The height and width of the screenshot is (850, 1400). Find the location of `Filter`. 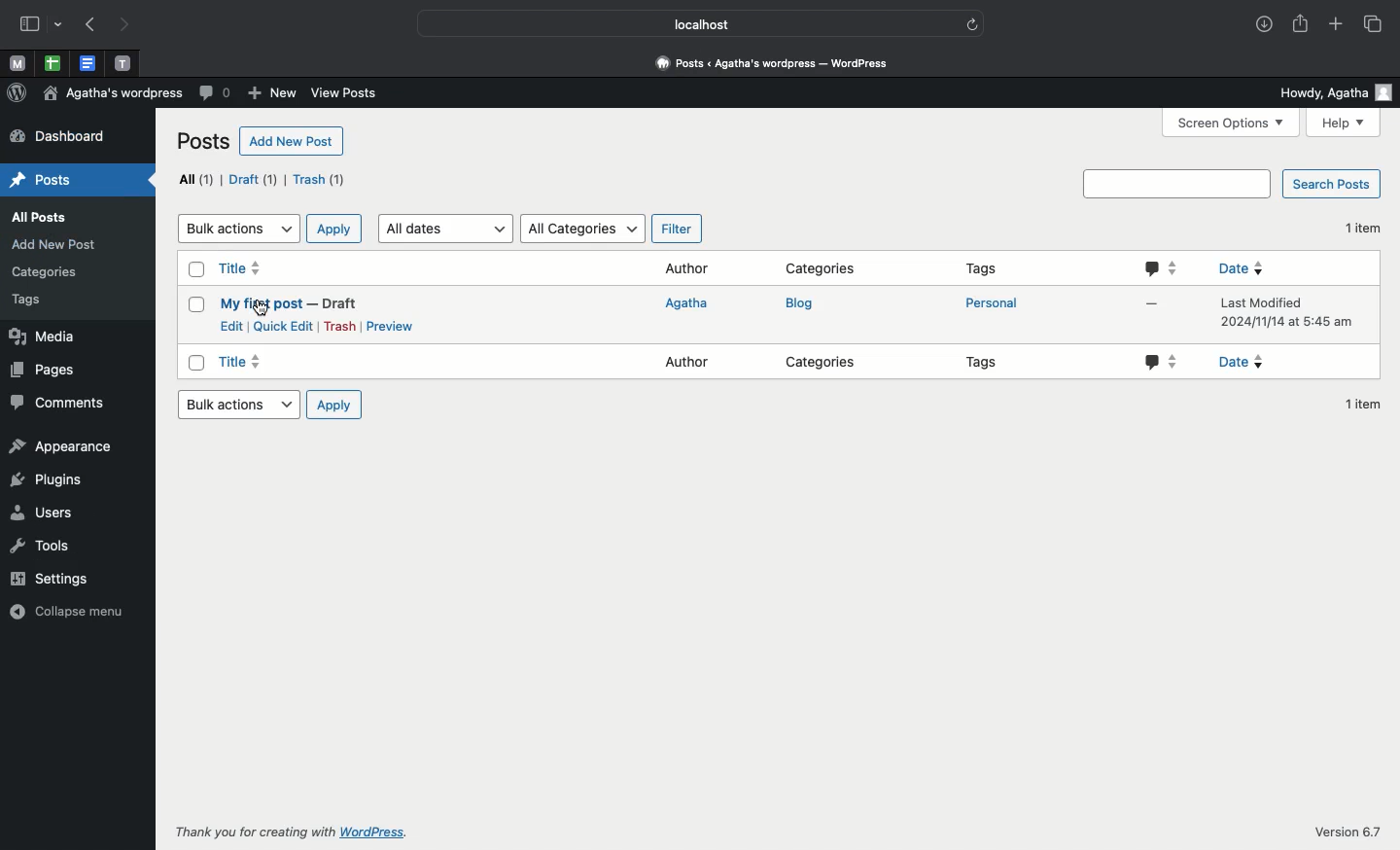

Filter is located at coordinates (674, 229).